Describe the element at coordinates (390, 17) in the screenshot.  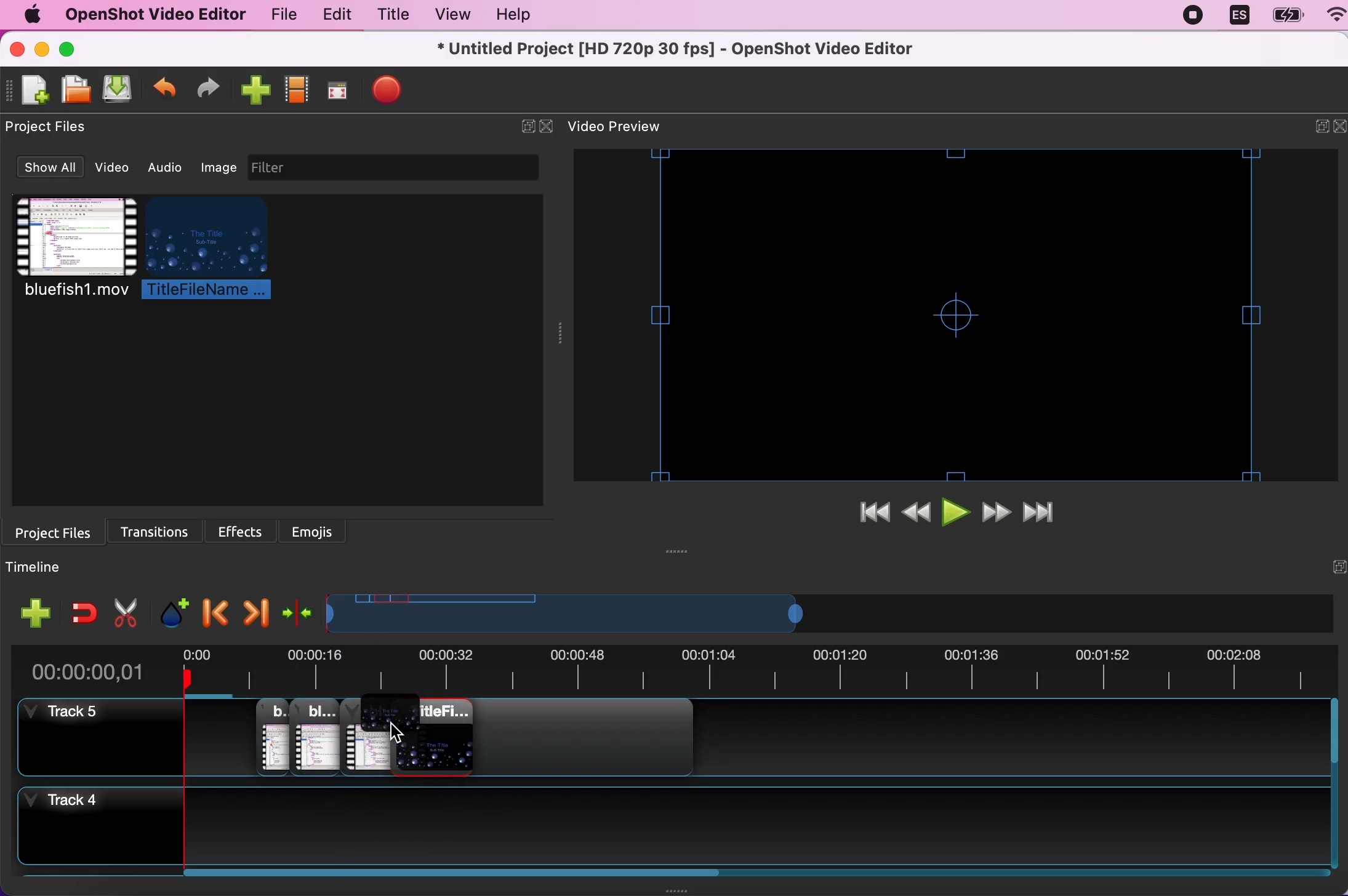
I see `title` at that location.